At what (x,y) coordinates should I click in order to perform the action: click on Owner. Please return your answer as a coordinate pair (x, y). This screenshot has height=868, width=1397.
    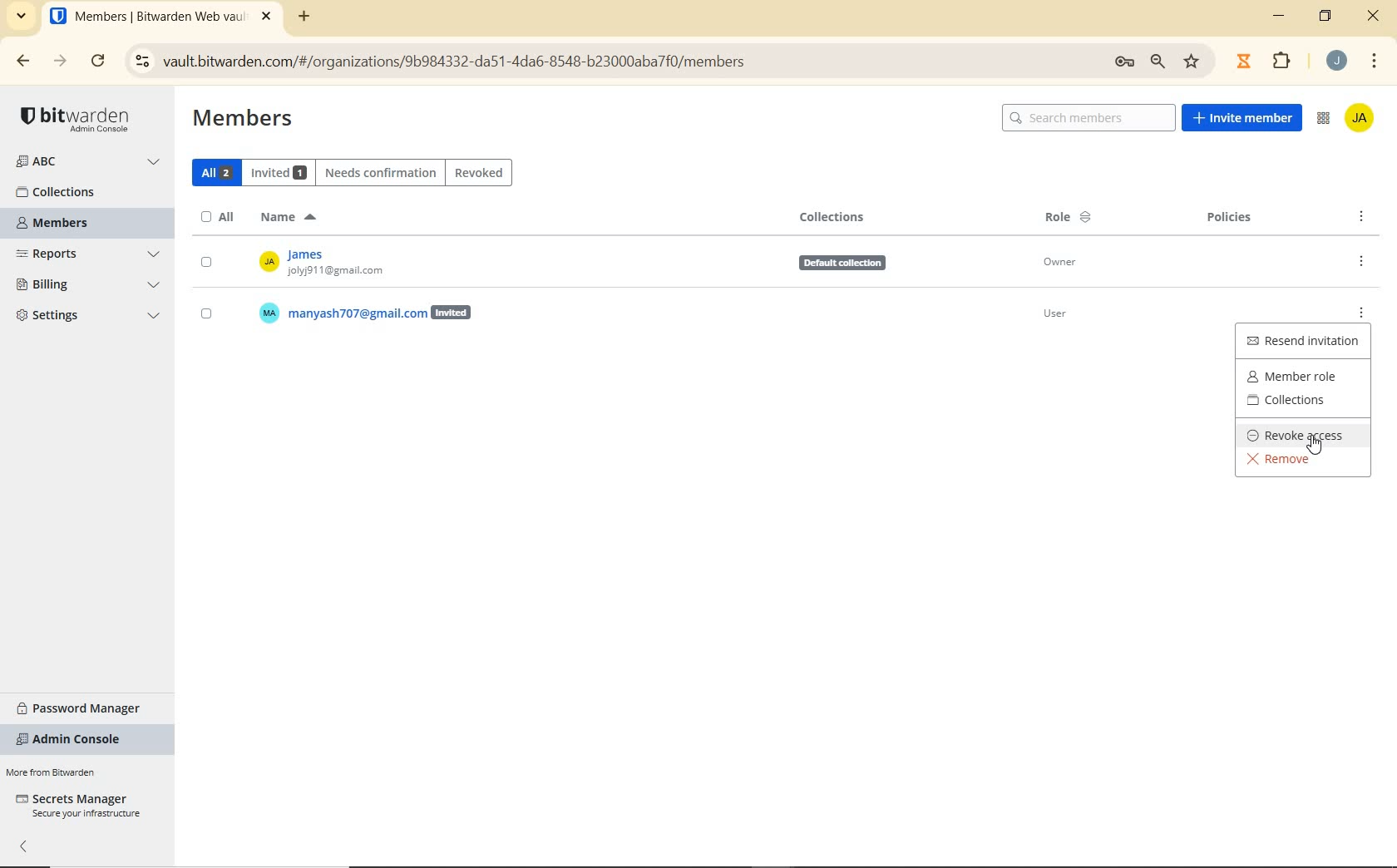
    Looking at the image, I should click on (1064, 264).